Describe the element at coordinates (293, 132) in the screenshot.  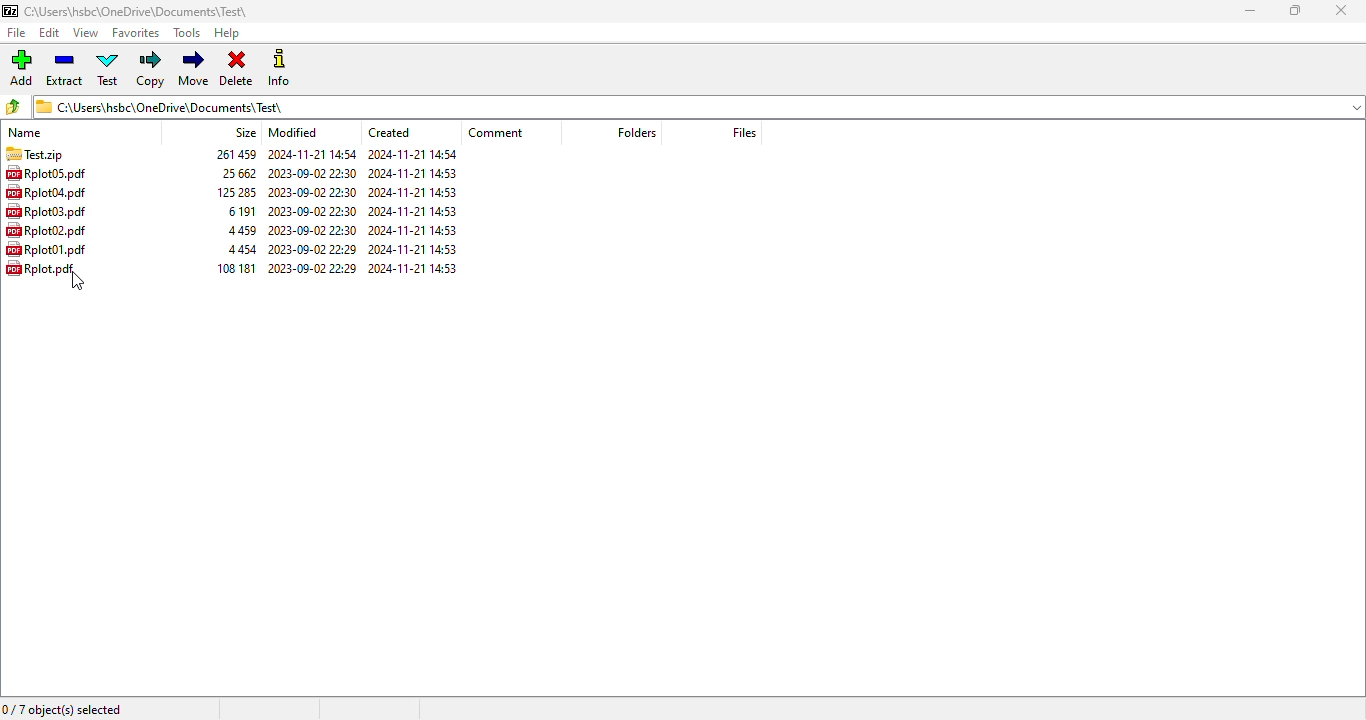
I see `modified` at that location.